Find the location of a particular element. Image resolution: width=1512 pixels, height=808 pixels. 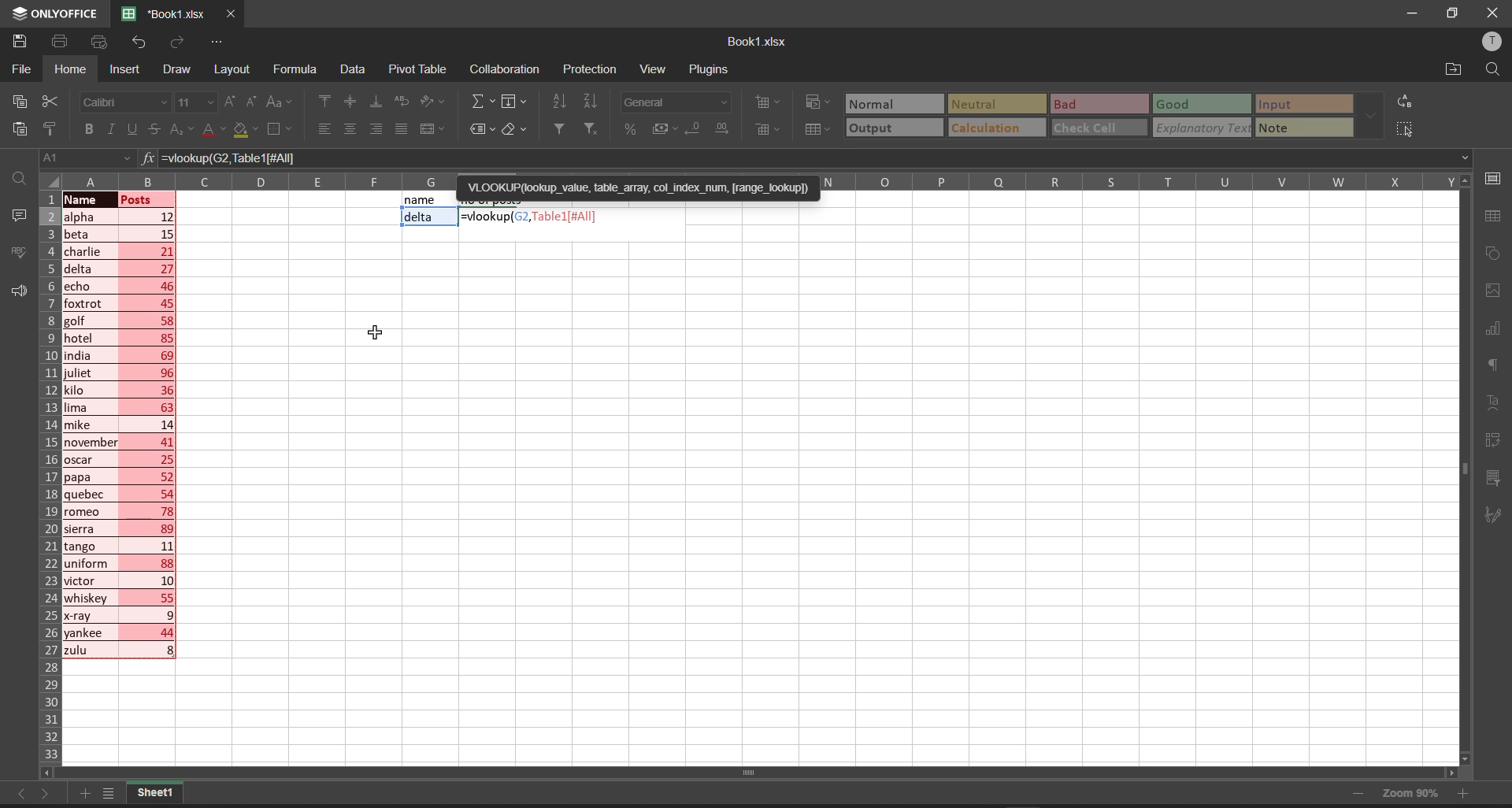

align bottom is located at coordinates (376, 101).